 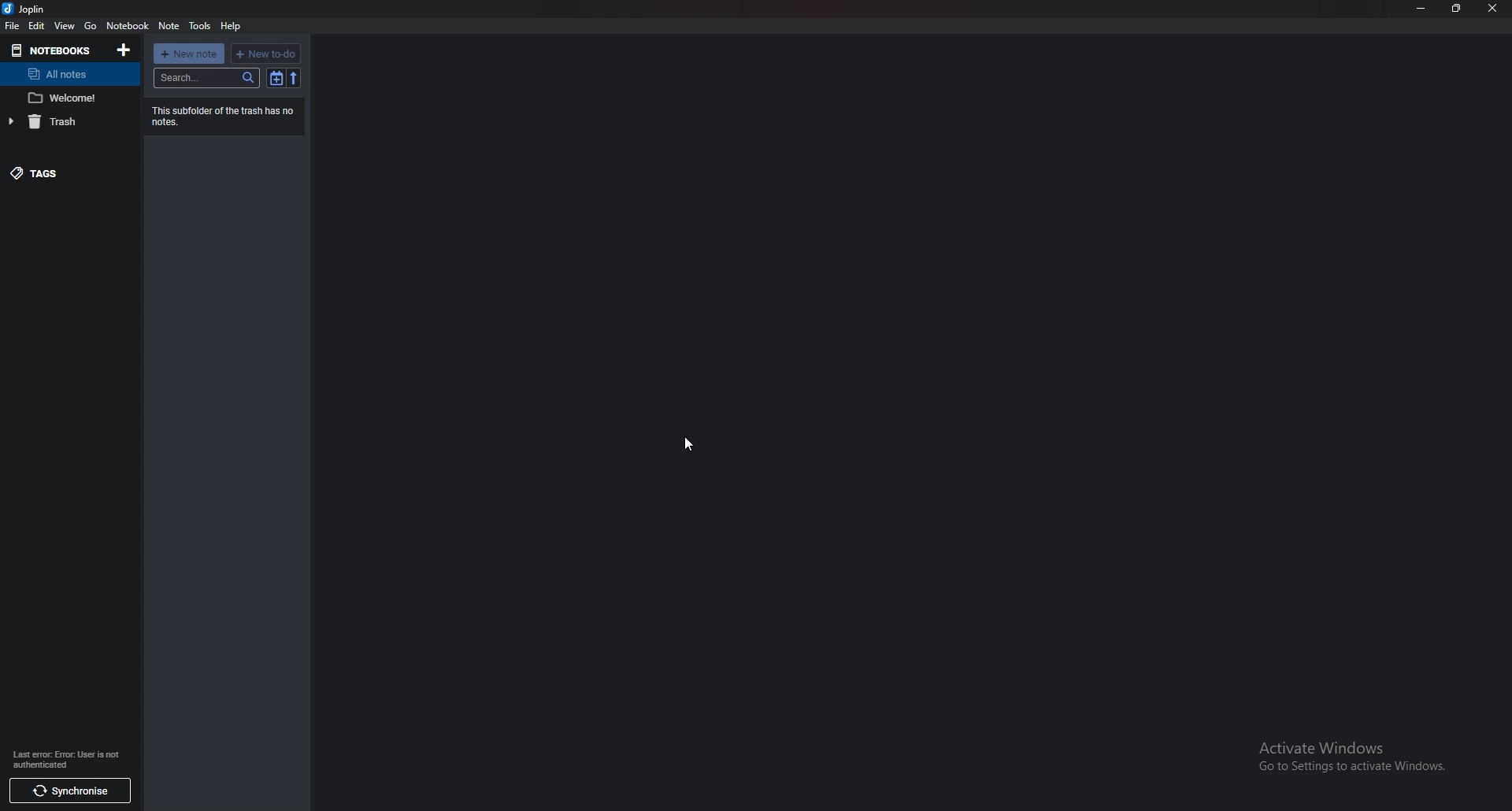 What do you see at coordinates (232, 26) in the screenshot?
I see `help` at bounding box center [232, 26].